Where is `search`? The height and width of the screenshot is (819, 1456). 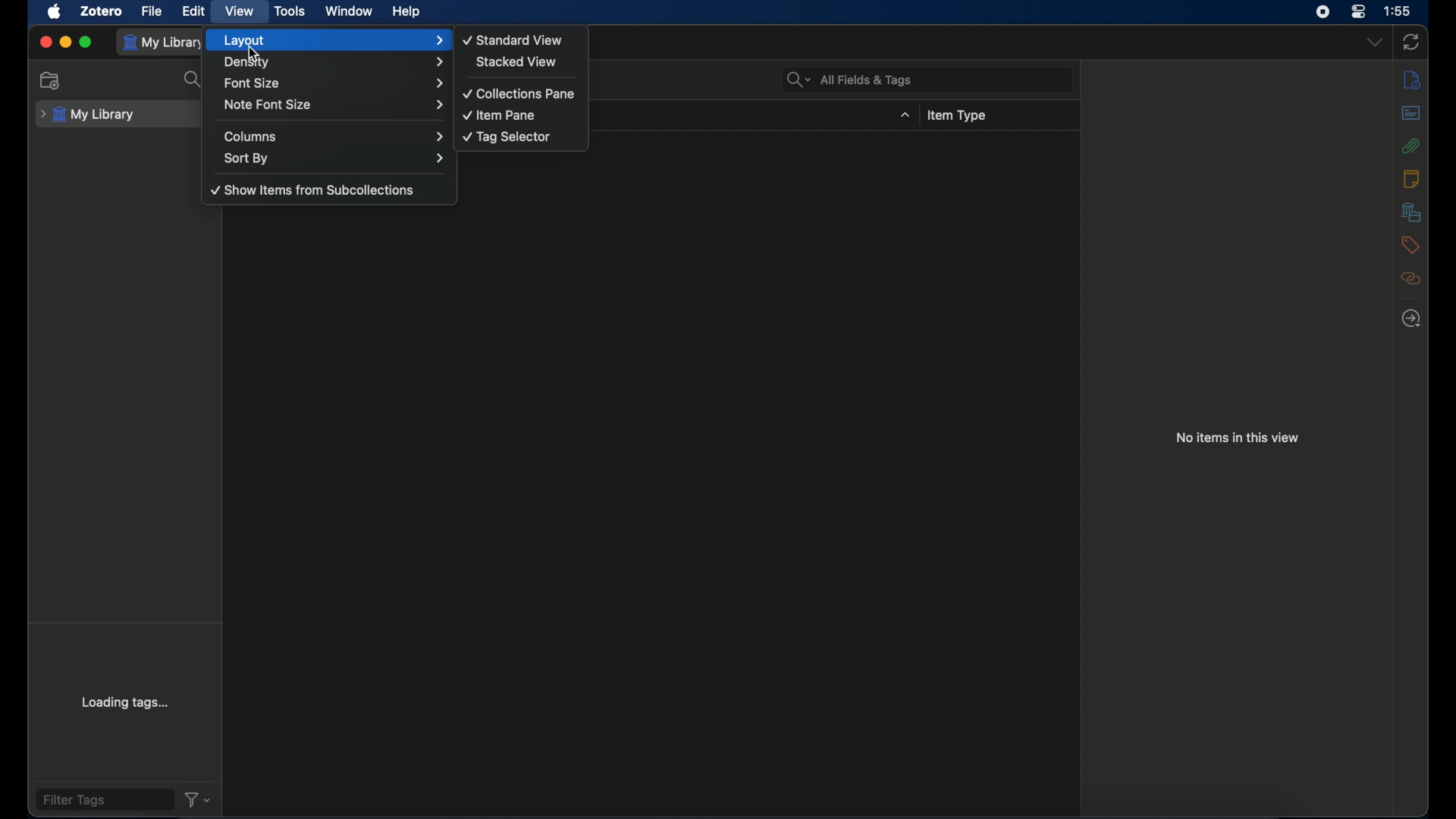 search is located at coordinates (196, 80).